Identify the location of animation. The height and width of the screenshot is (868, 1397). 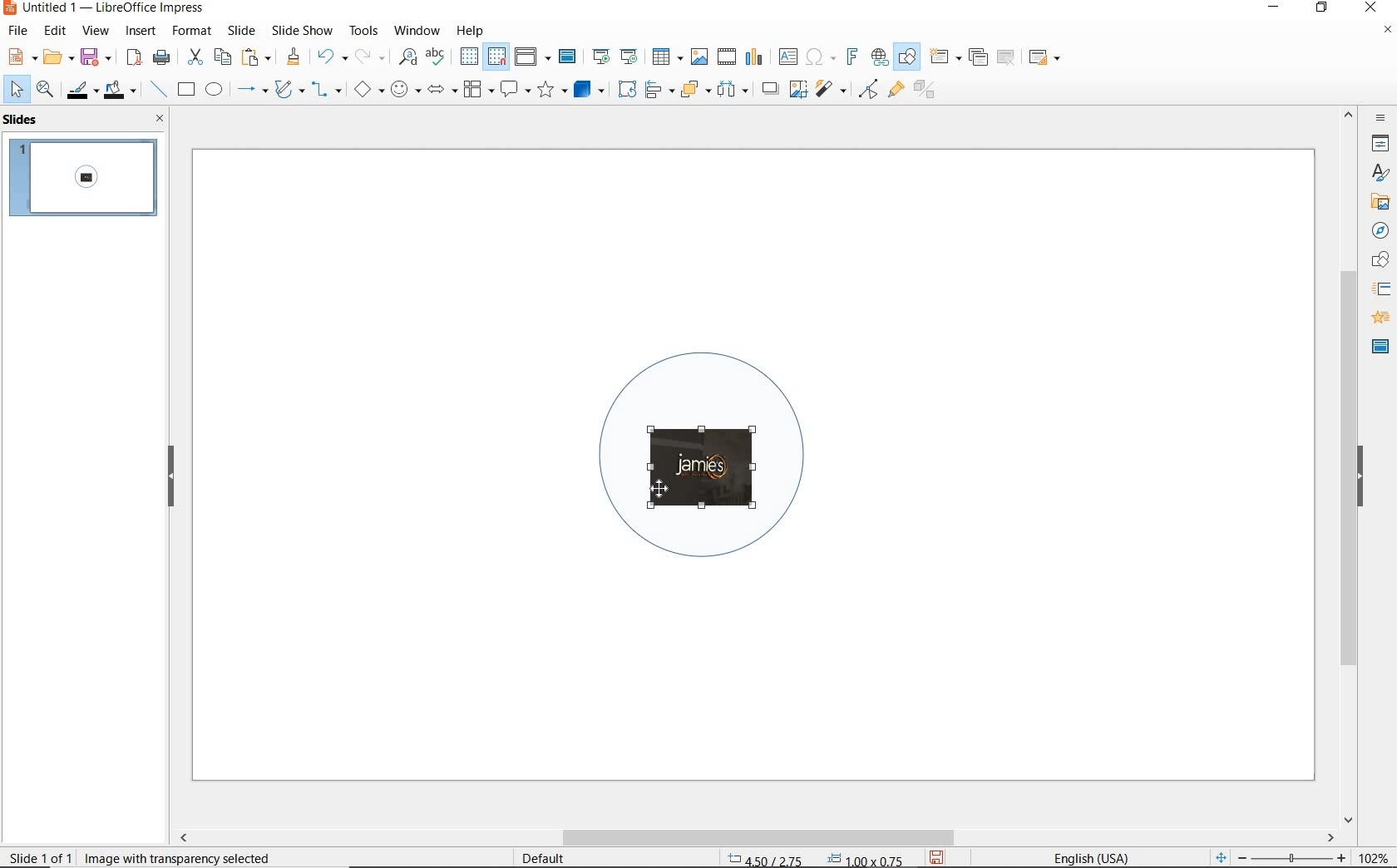
(1378, 318).